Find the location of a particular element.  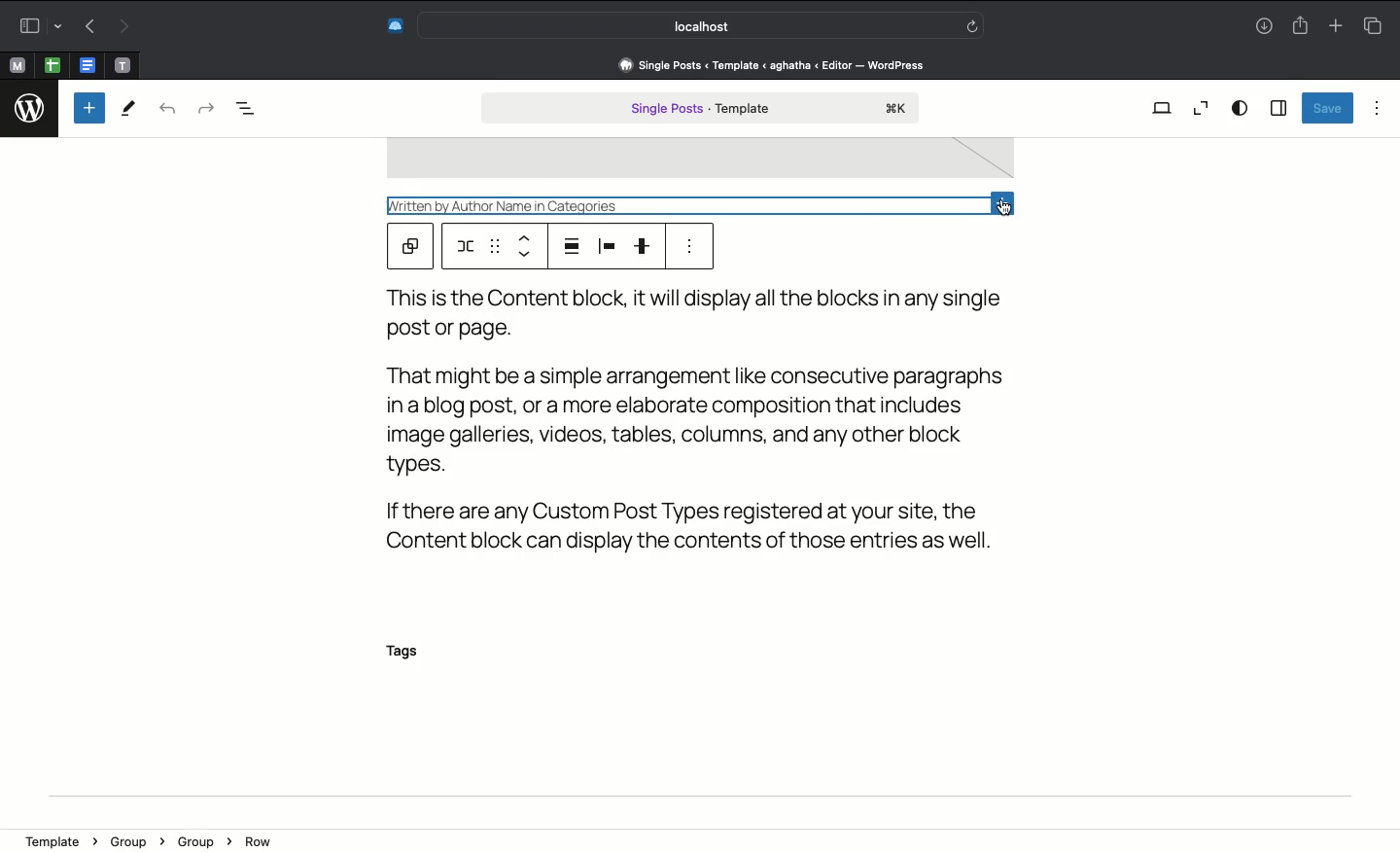

Group is located at coordinates (201, 840).